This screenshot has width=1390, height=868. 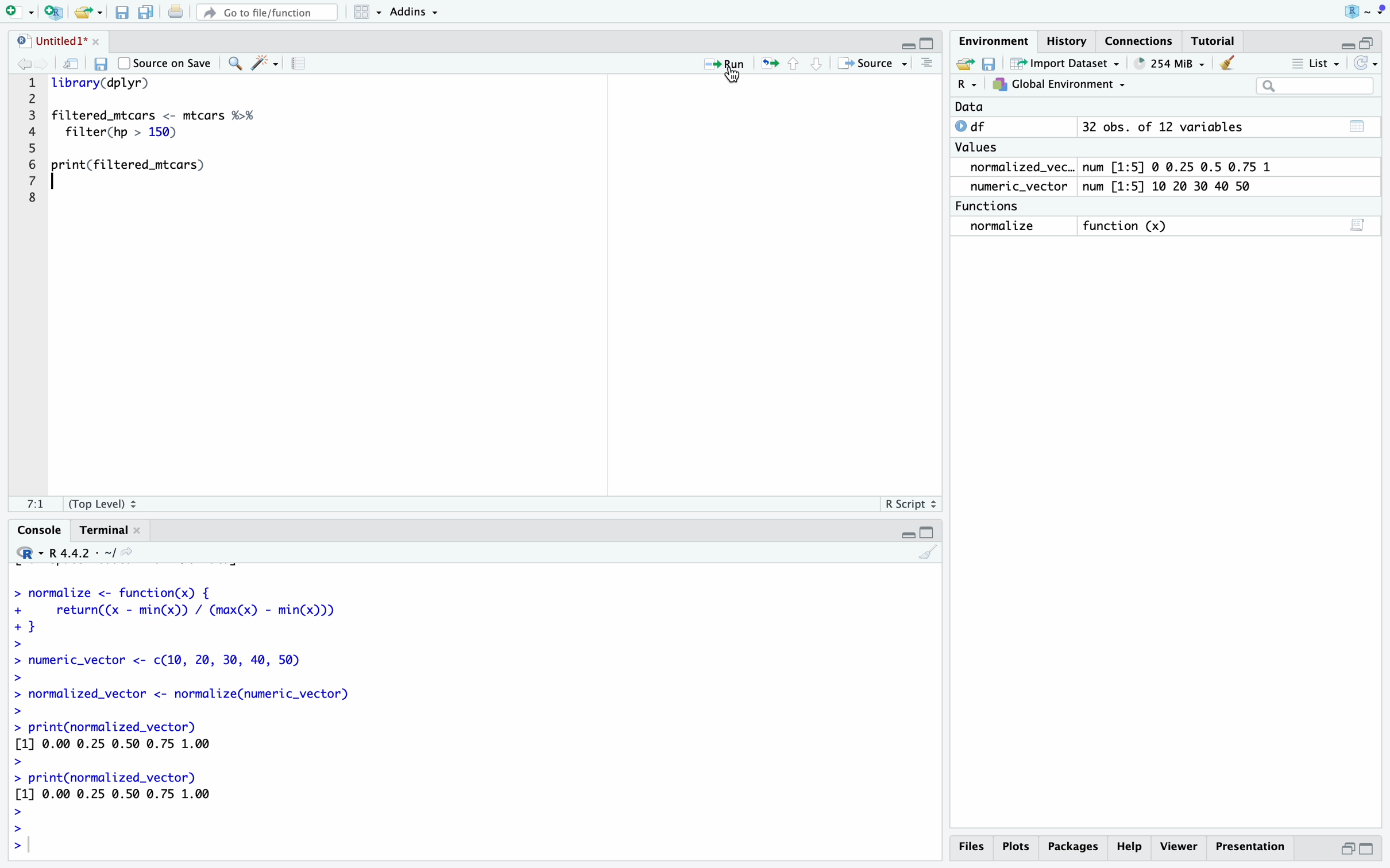 I want to click on maximize, so click(x=929, y=533).